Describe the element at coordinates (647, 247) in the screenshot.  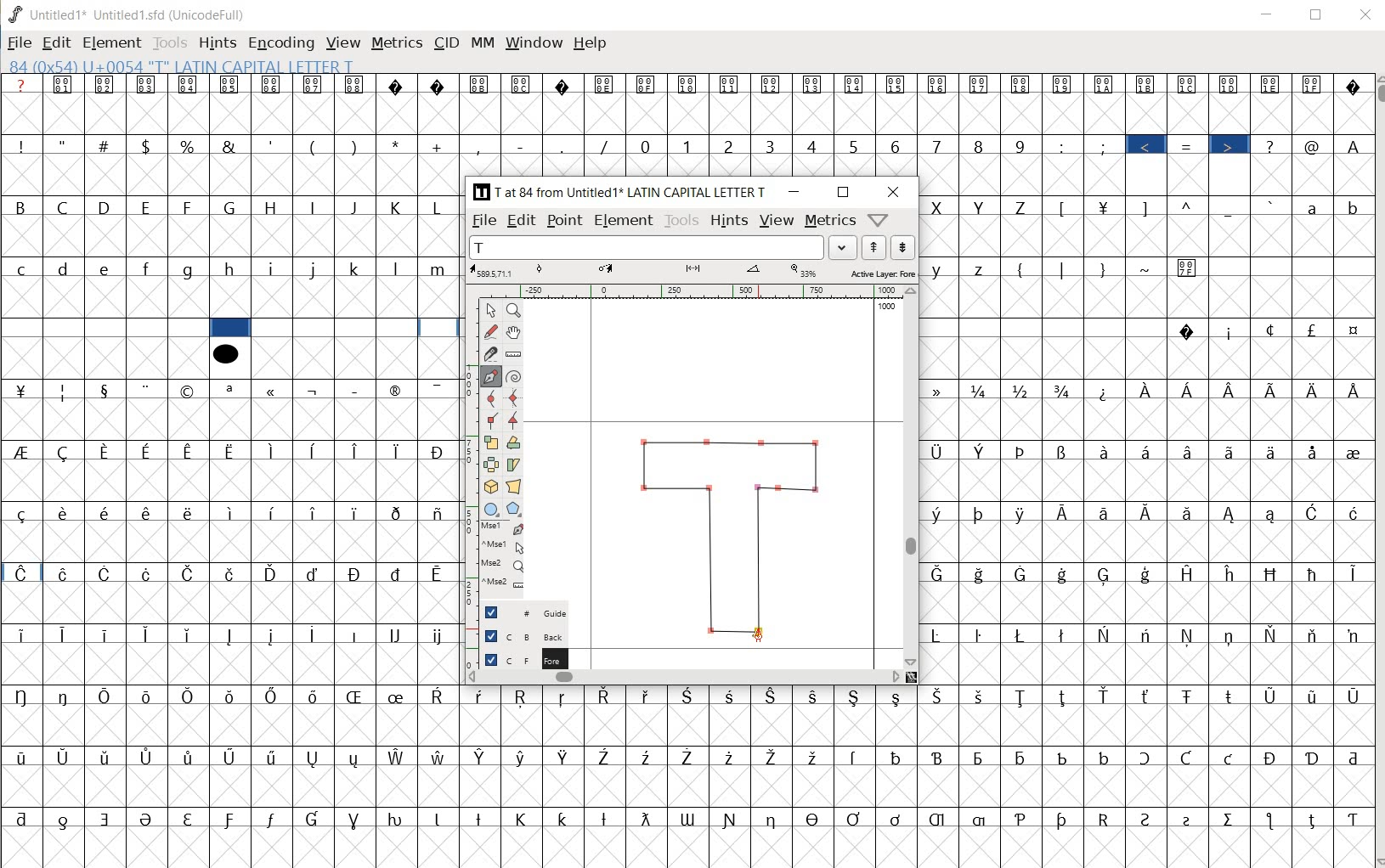
I see `T` at that location.